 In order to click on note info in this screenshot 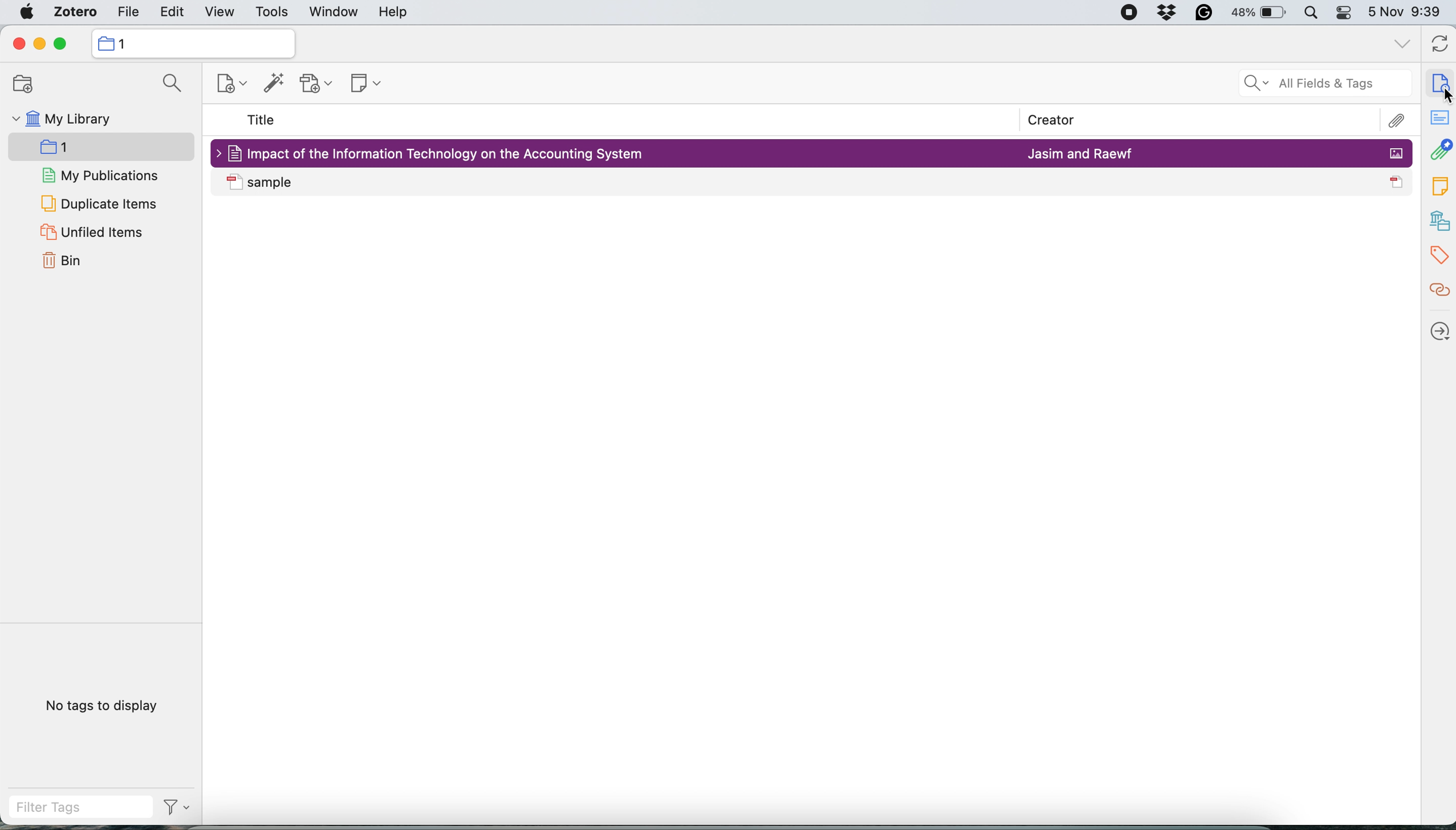, I will do `click(1441, 82)`.